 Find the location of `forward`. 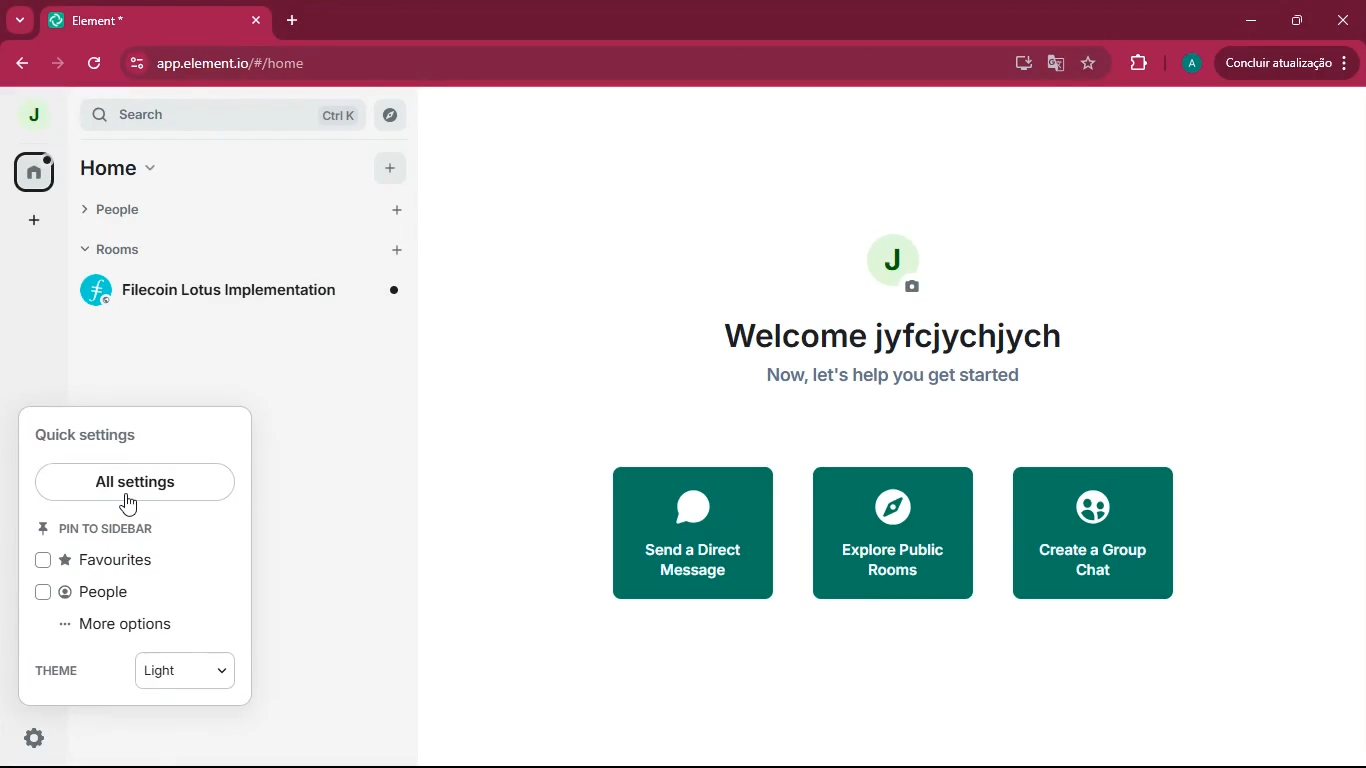

forward is located at coordinates (61, 64).